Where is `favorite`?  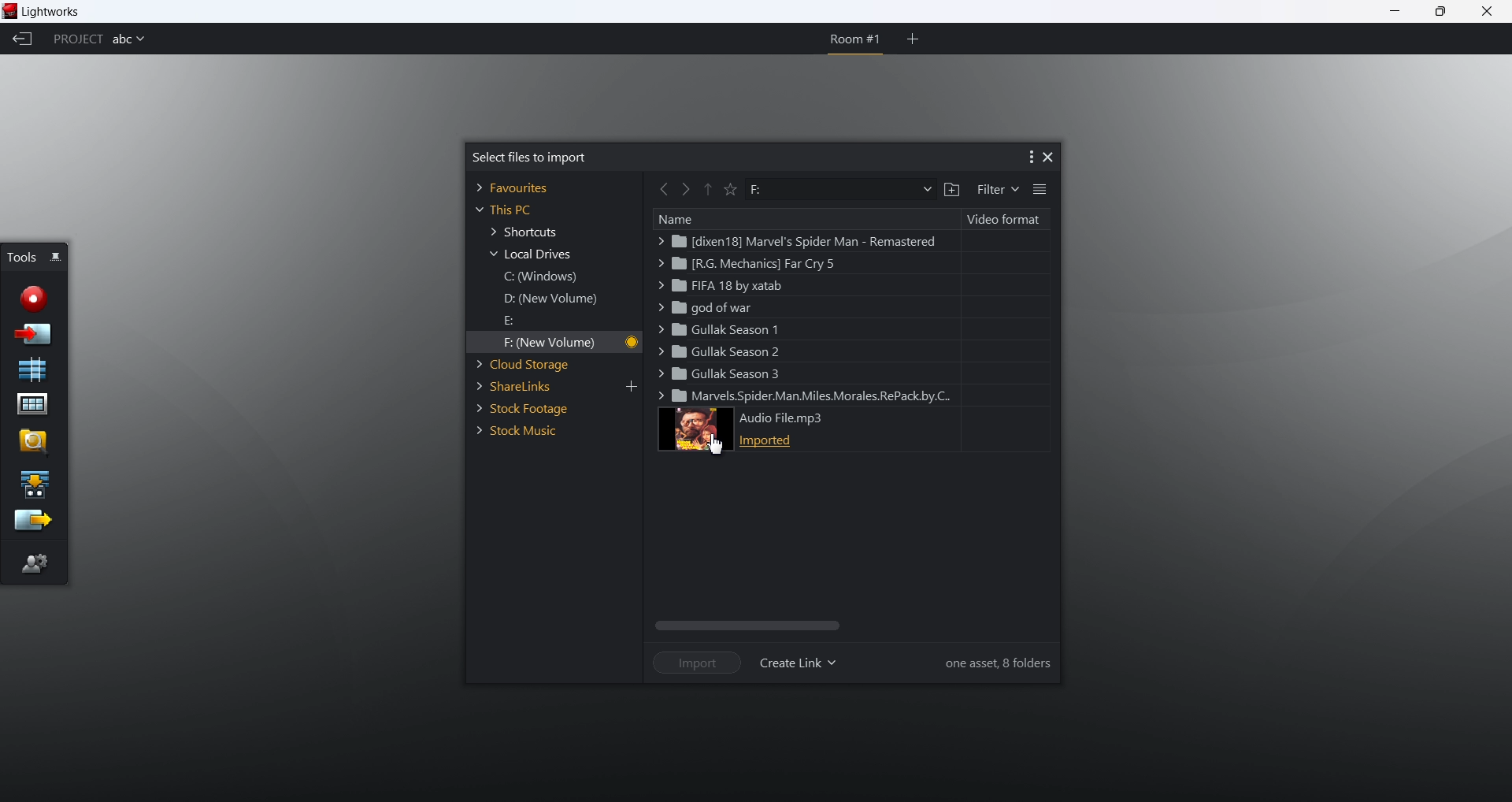 favorite is located at coordinates (729, 191).